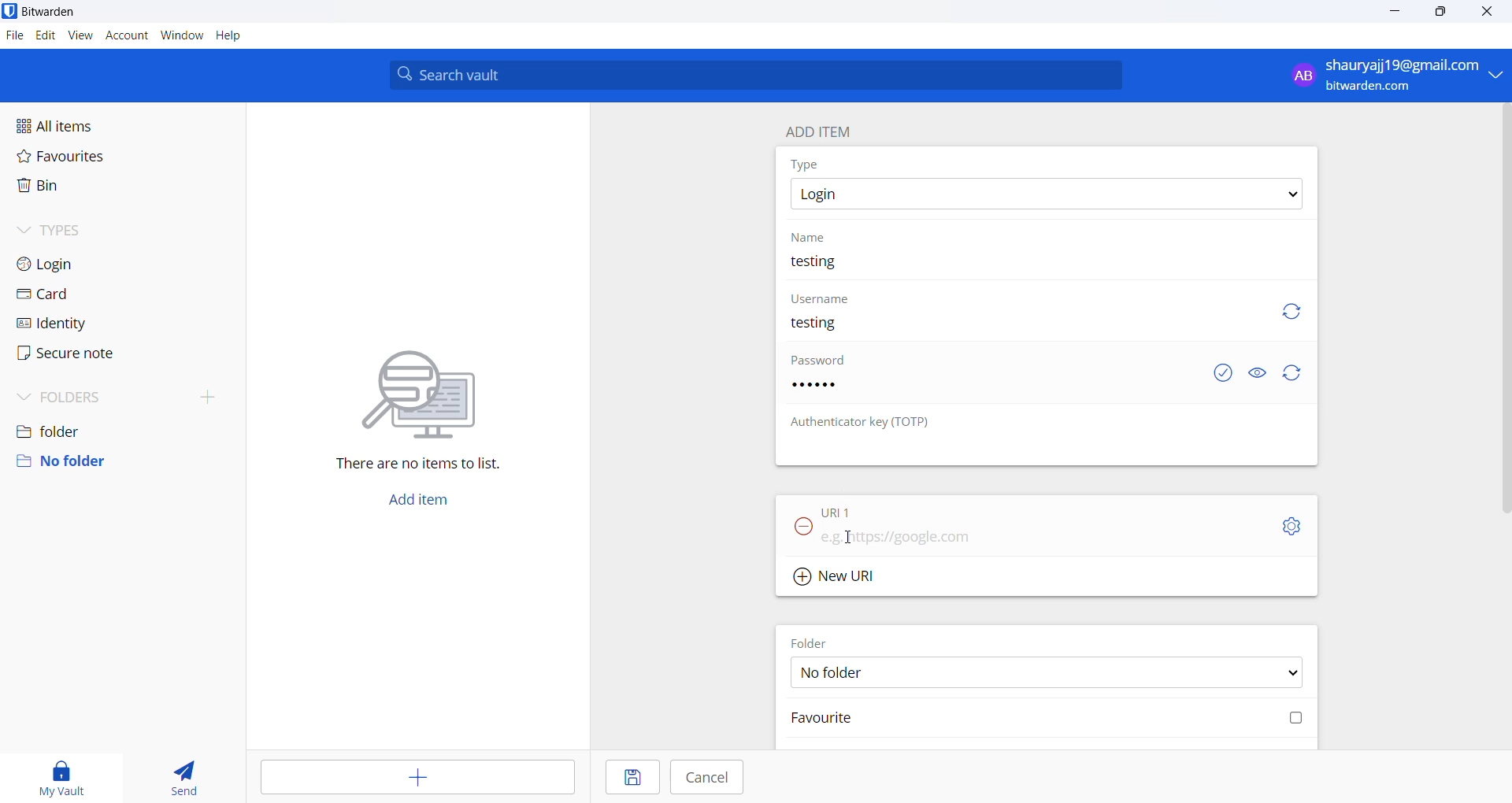 The image size is (1512, 803). What do you see at coordinates (1048, 673) in the screenshot?
I see `FOLDER options` at bounding box center [1048, 673].